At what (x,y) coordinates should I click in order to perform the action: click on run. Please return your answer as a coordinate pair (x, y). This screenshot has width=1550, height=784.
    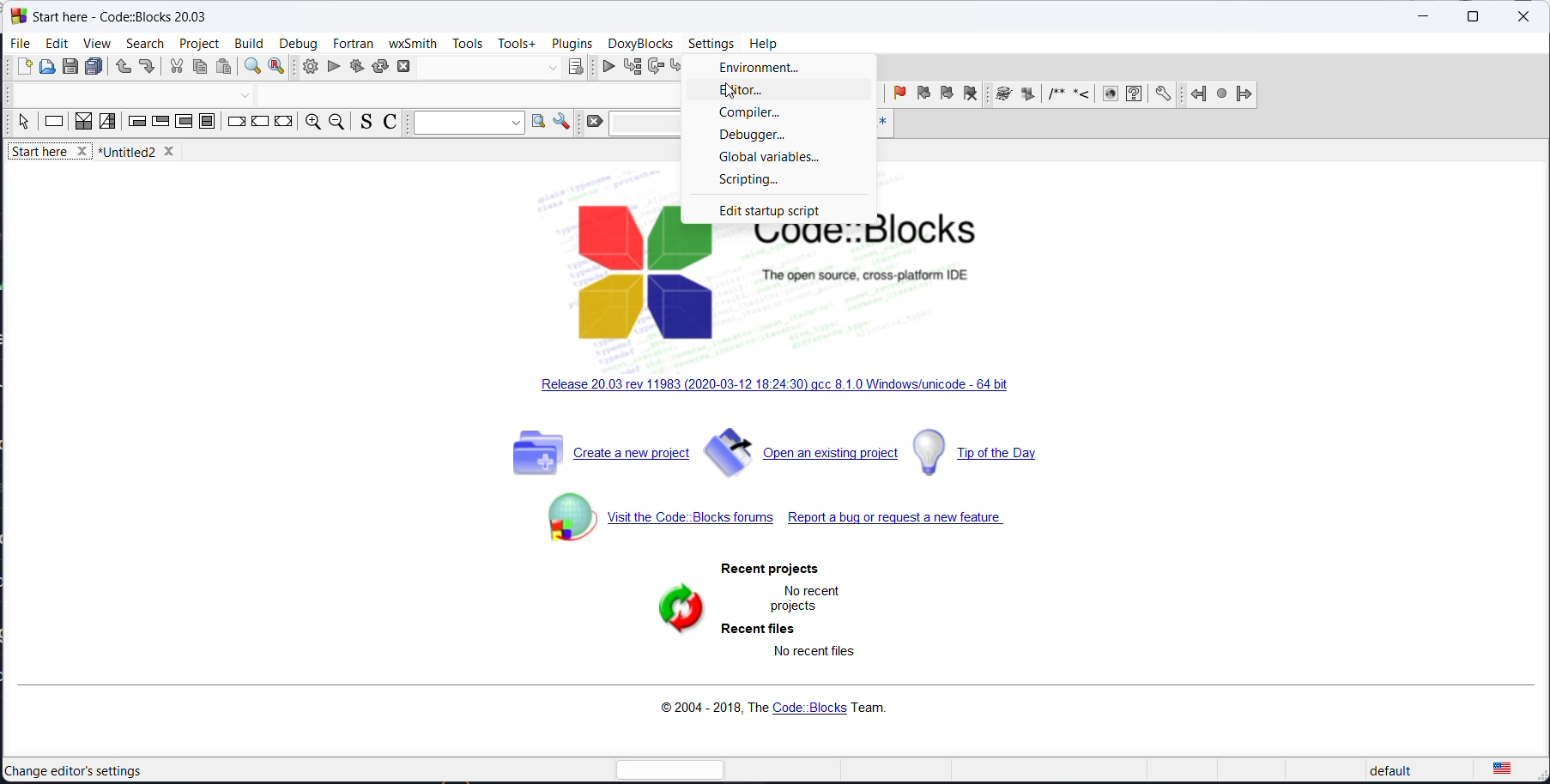
    Looking at the image, I should click on (334, 67).